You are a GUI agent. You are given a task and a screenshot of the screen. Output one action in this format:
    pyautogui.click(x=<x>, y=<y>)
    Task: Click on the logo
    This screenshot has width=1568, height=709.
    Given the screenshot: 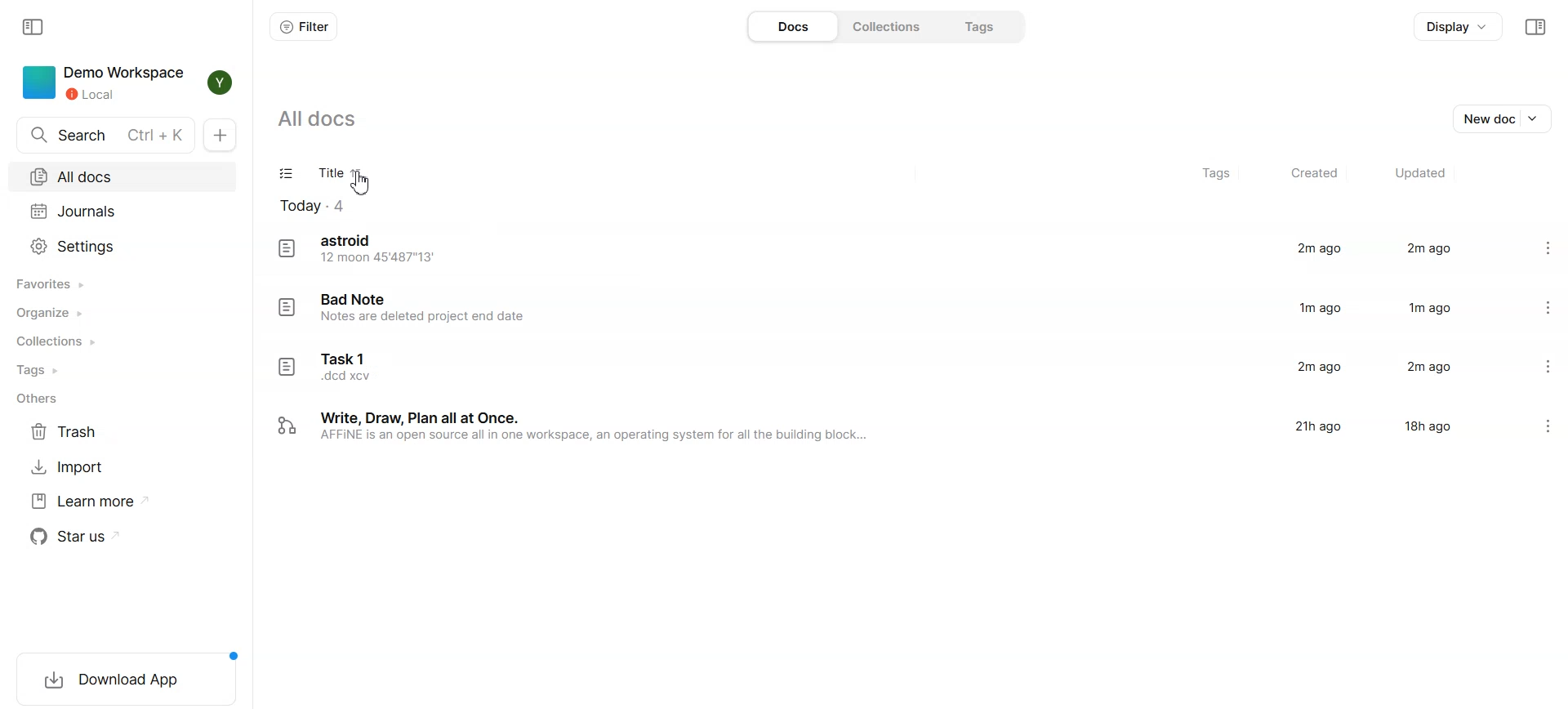 What is the action you would take?
    pyautogui.click(x=286, y=368)
    